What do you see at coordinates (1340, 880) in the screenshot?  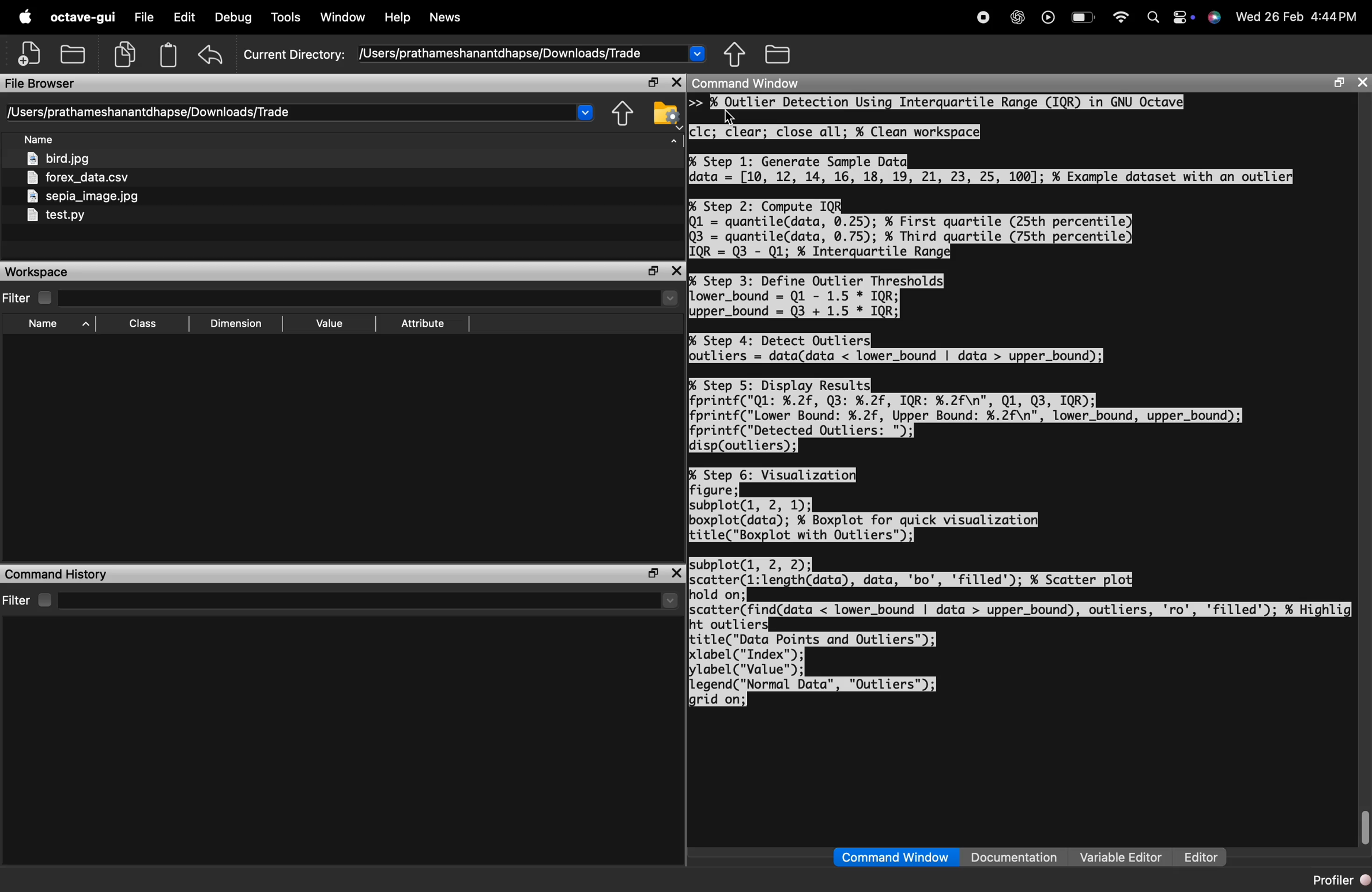 I see `Profiler` at bounding box center [1340, 880].